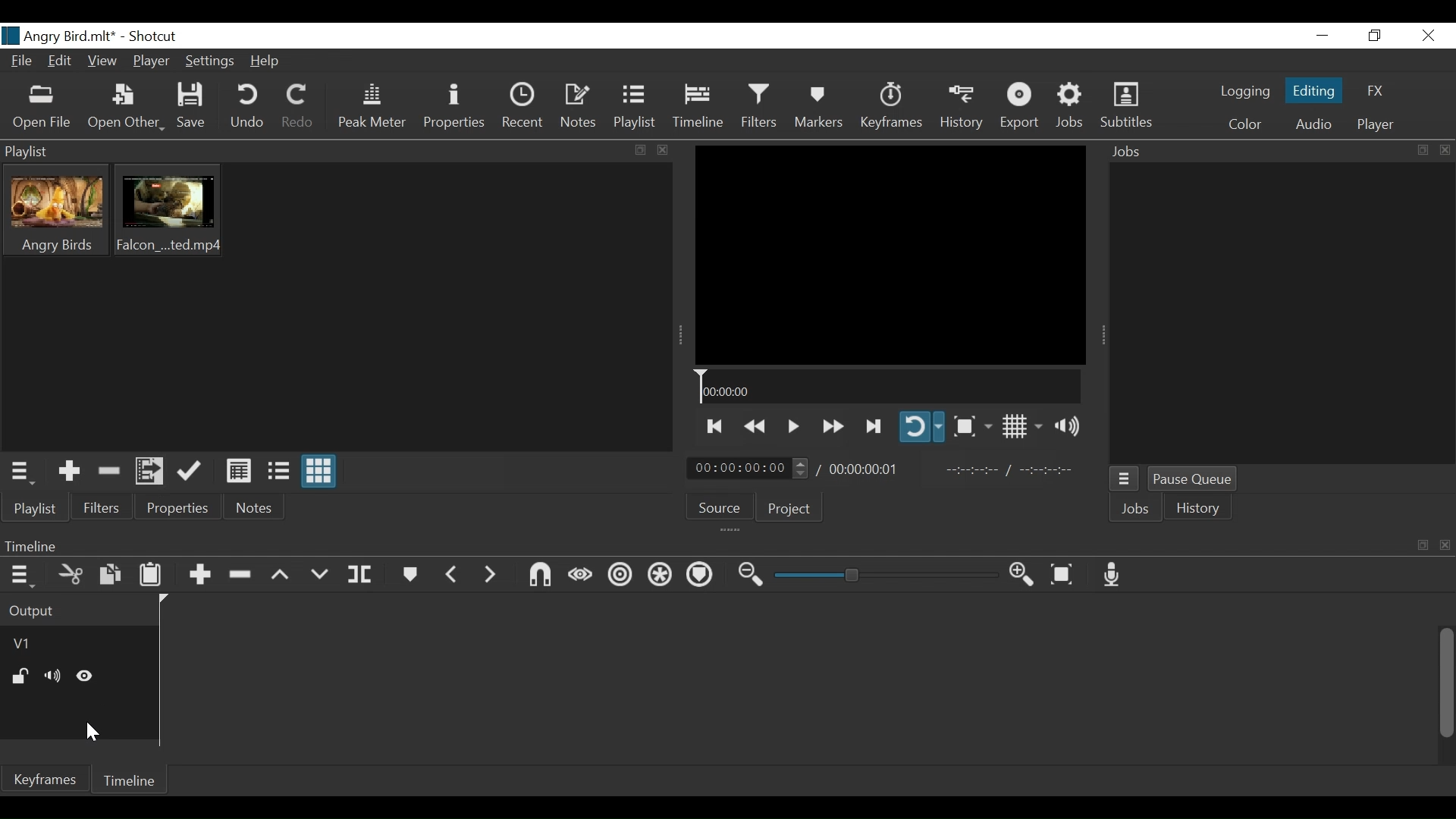 This screenshot has width=1456, height=819. Describe the element at coordinates (868, 469) in the screenshot. I see `Total duration` at that location.